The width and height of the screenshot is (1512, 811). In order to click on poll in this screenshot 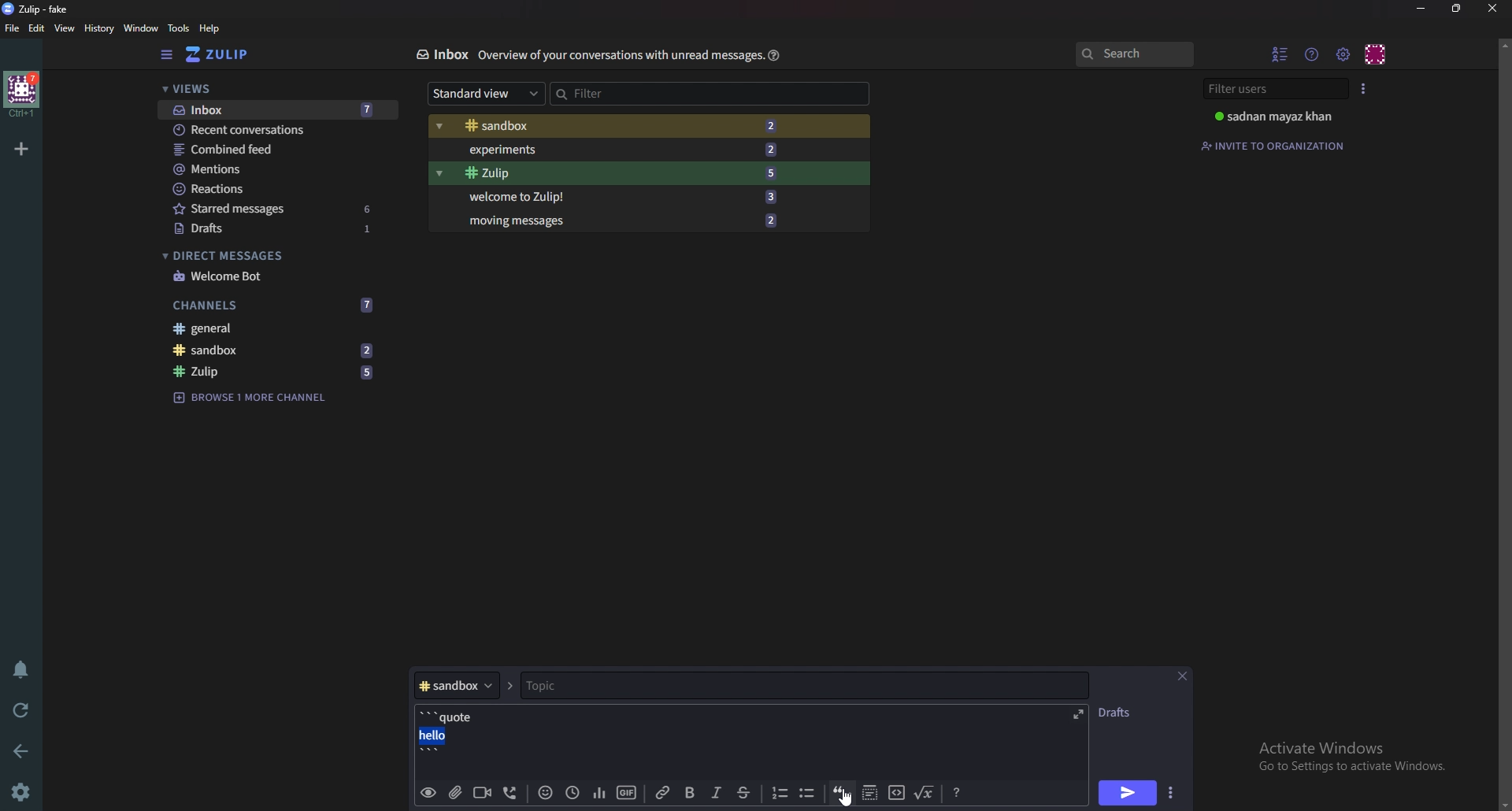, I will do `click(600, 794)`.